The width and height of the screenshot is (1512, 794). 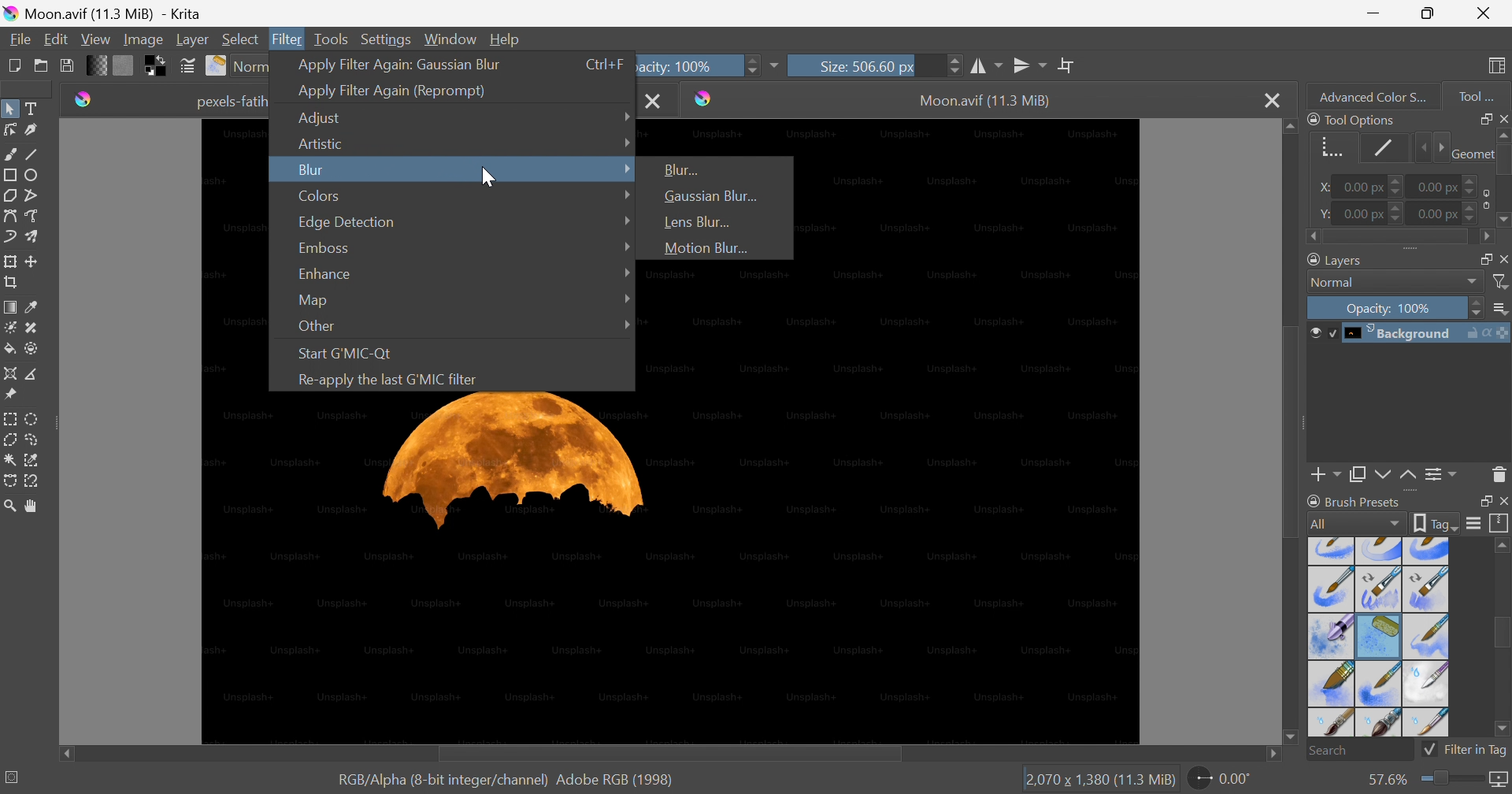 What do you see at coordinates (9, 216) in the screenshot?
I see `Bezier curve tool` at bounding box center [9, 216].